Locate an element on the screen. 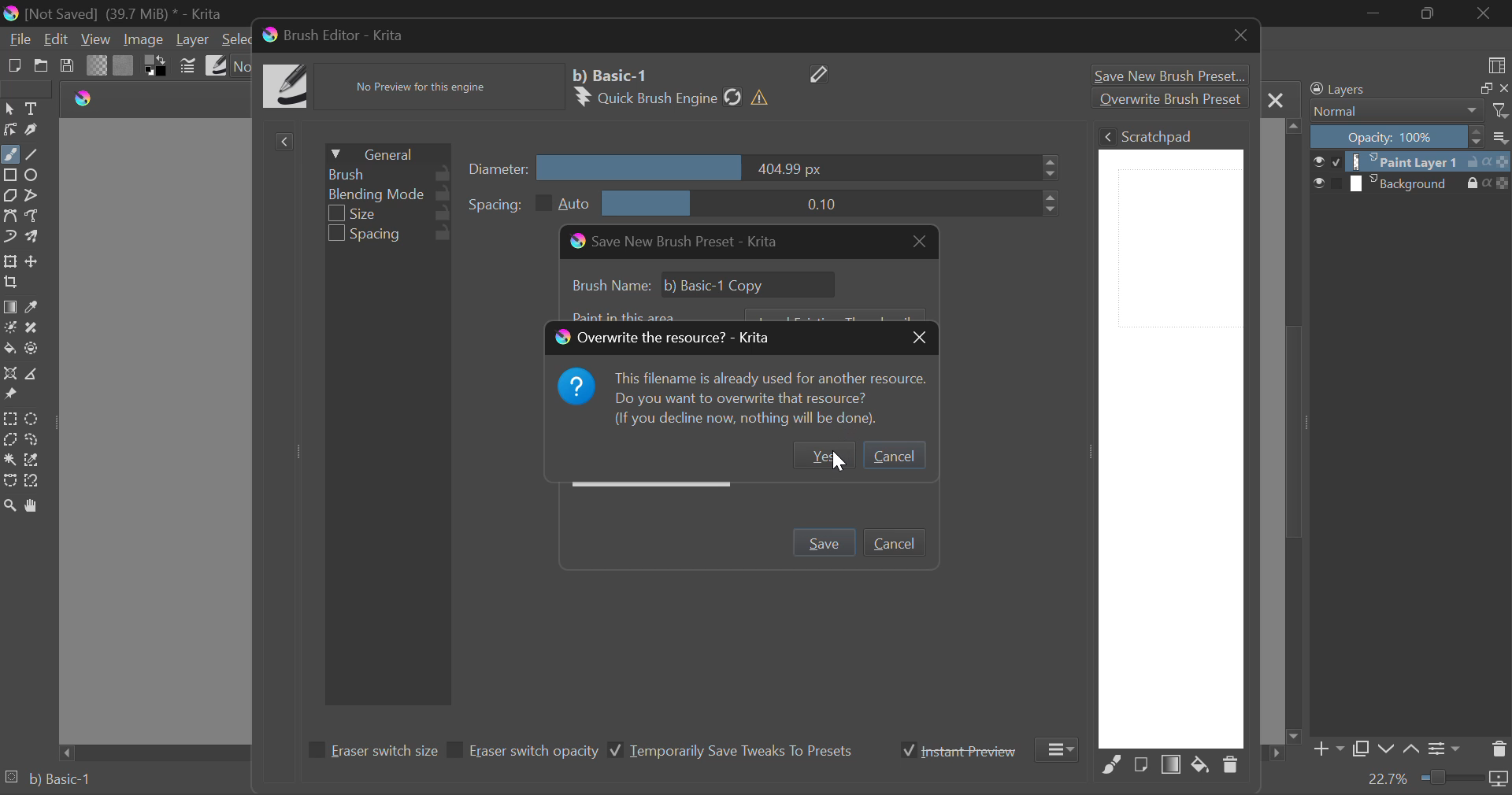  Scroll Bar is located at coordinates (1295, 430).